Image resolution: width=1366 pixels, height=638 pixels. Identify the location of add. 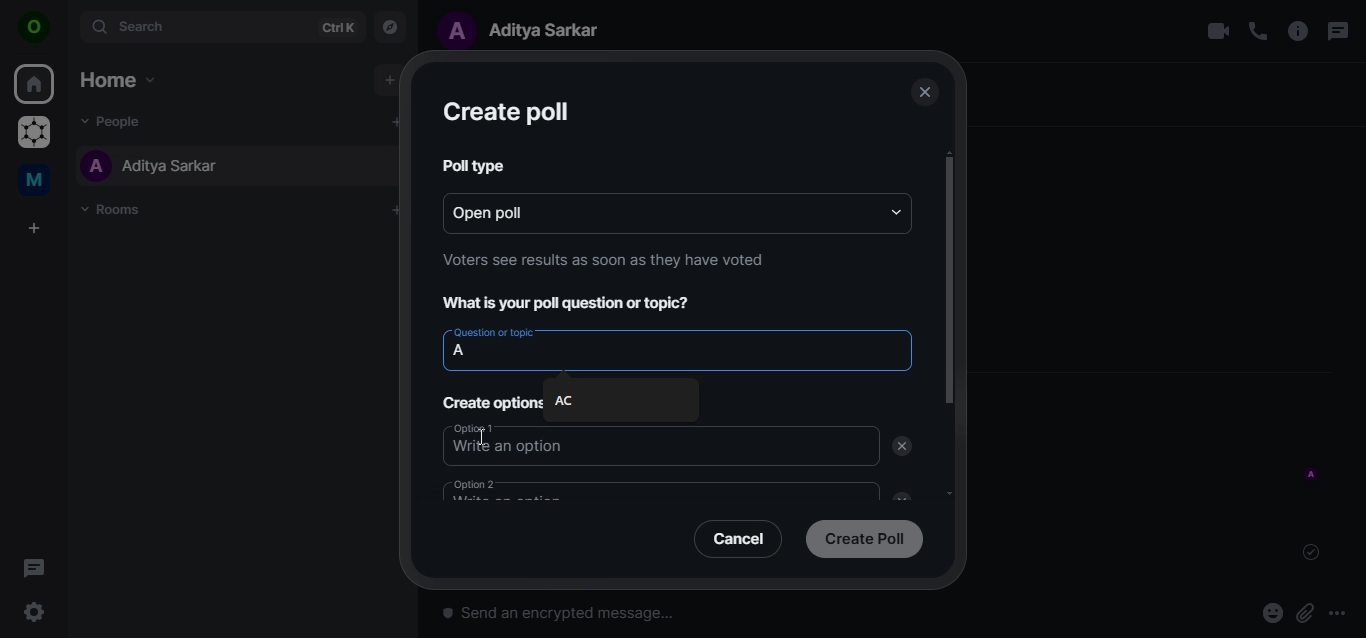
(394, 121).